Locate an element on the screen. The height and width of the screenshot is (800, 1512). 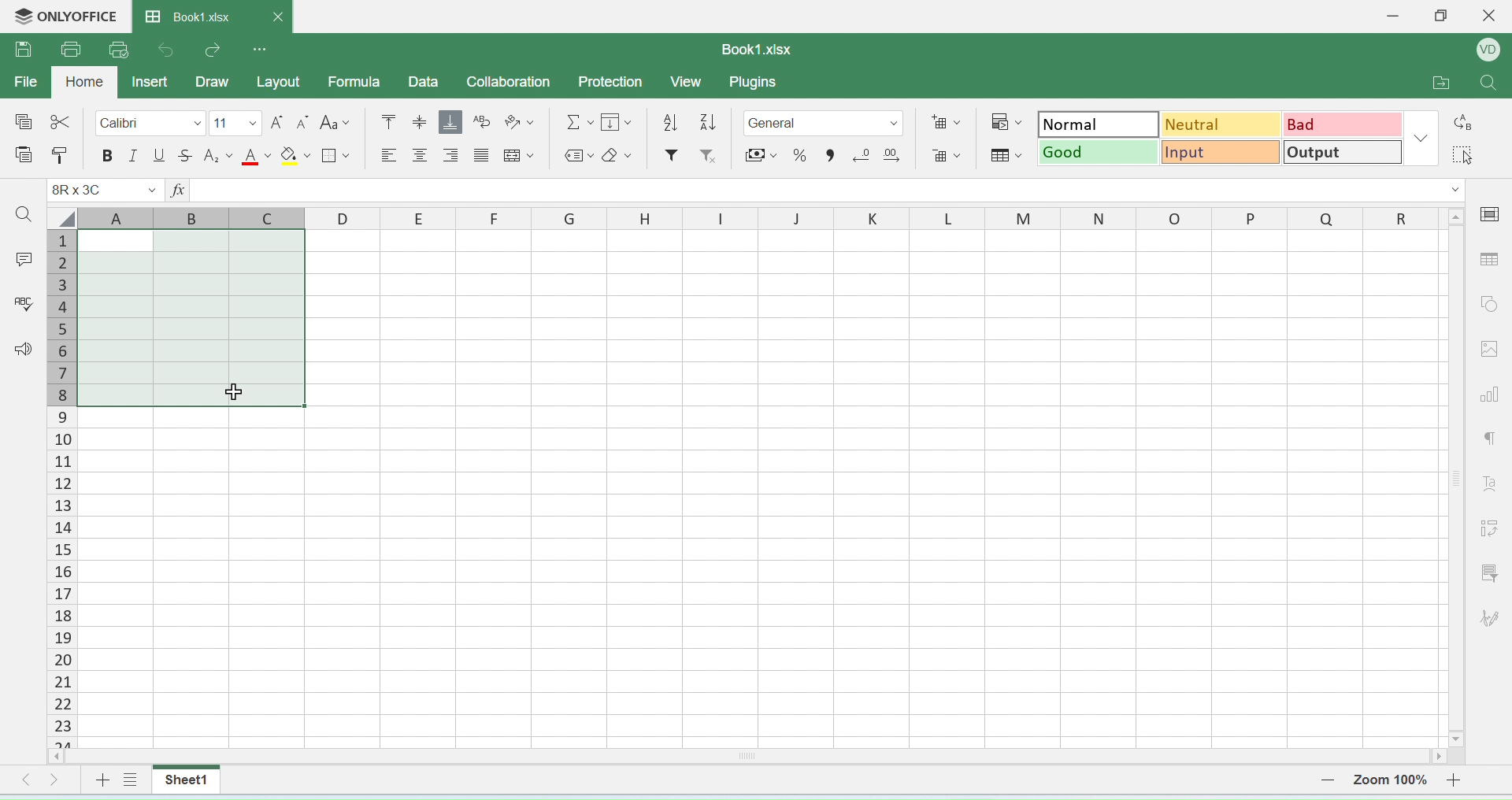
 is located at coordinates (87, 83).